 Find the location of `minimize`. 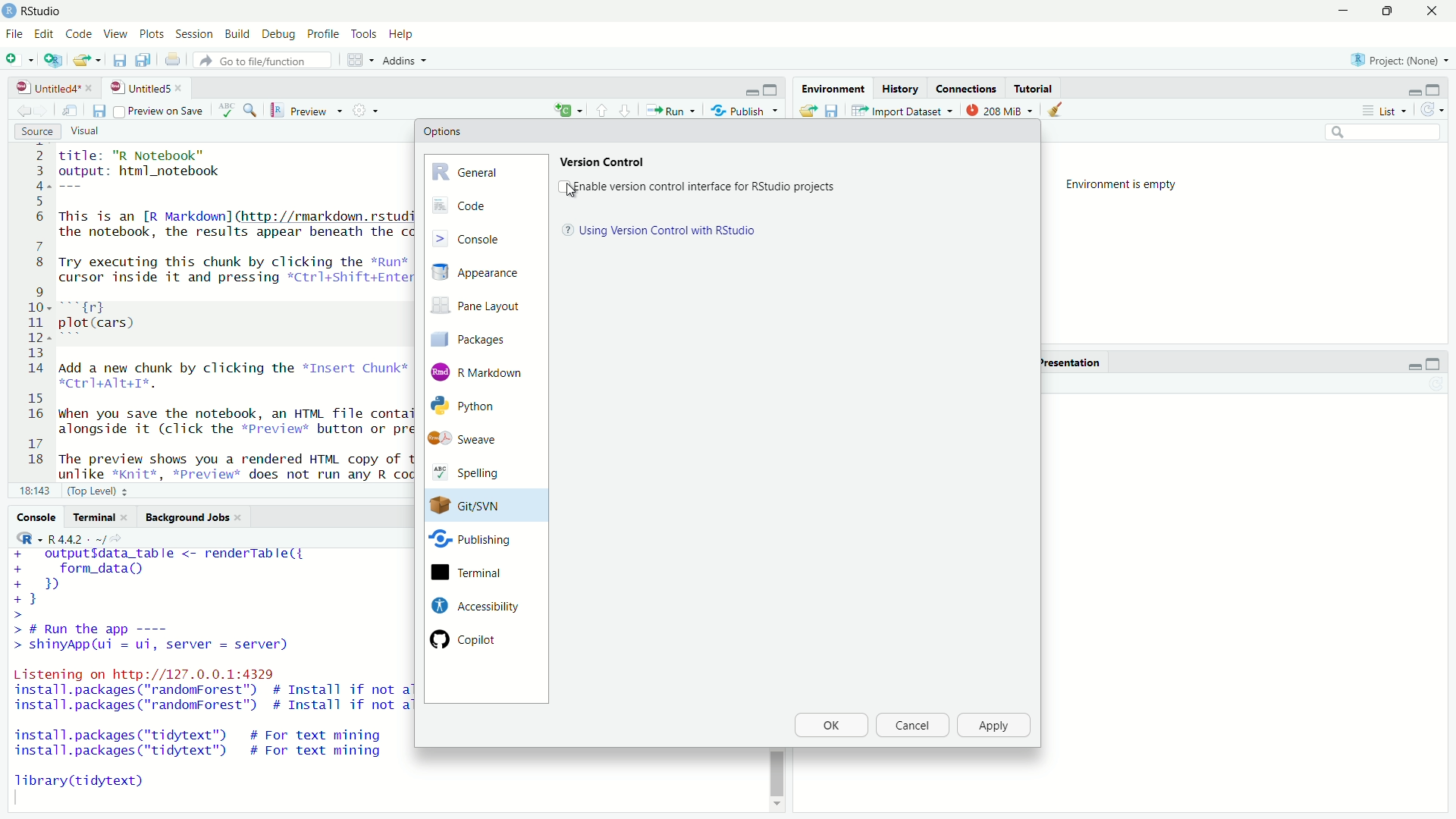

minimize is located at coordinates (752, 91).